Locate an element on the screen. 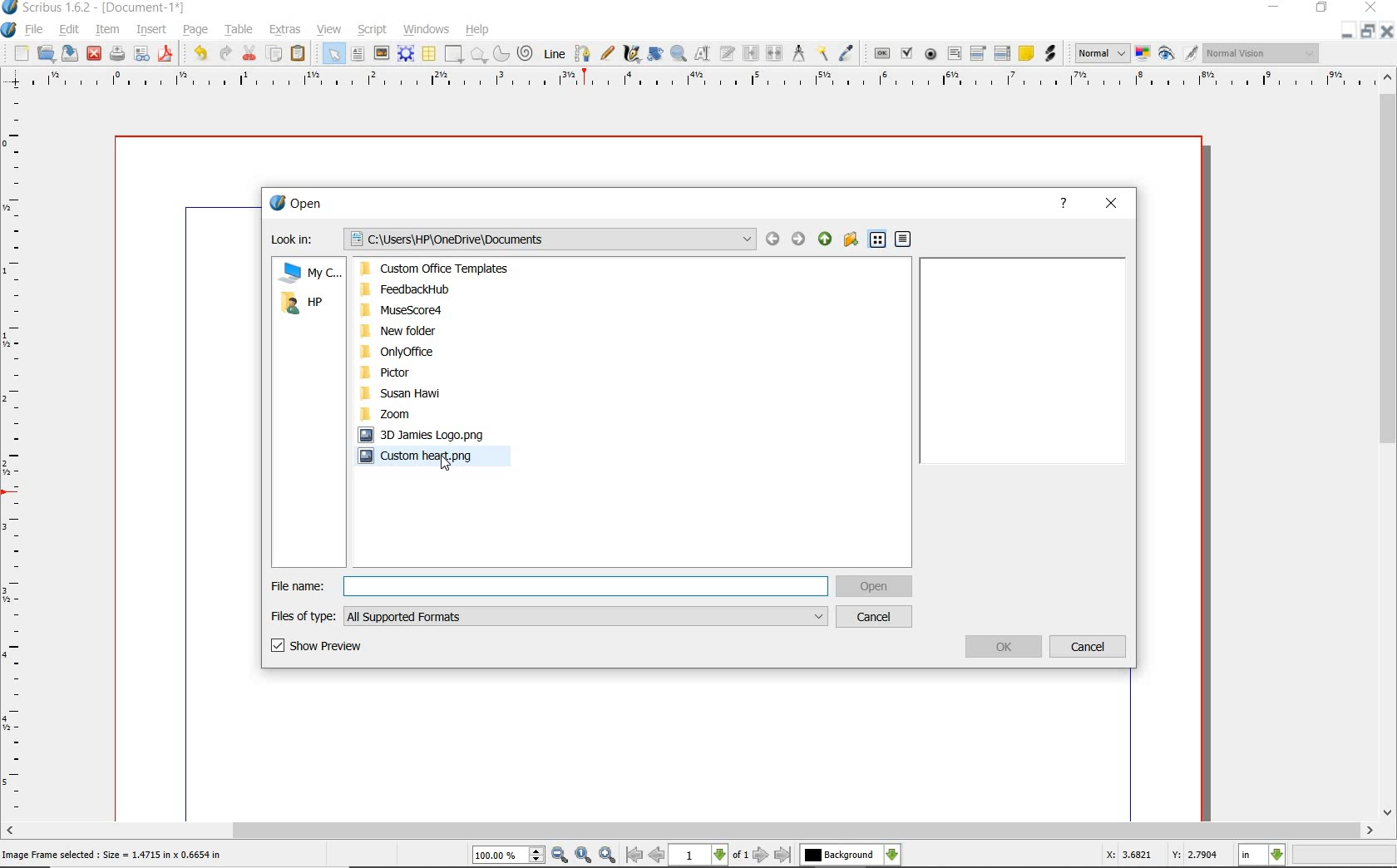 The image size is (1397, 868). go to next page is located at coordinates (761, 855).